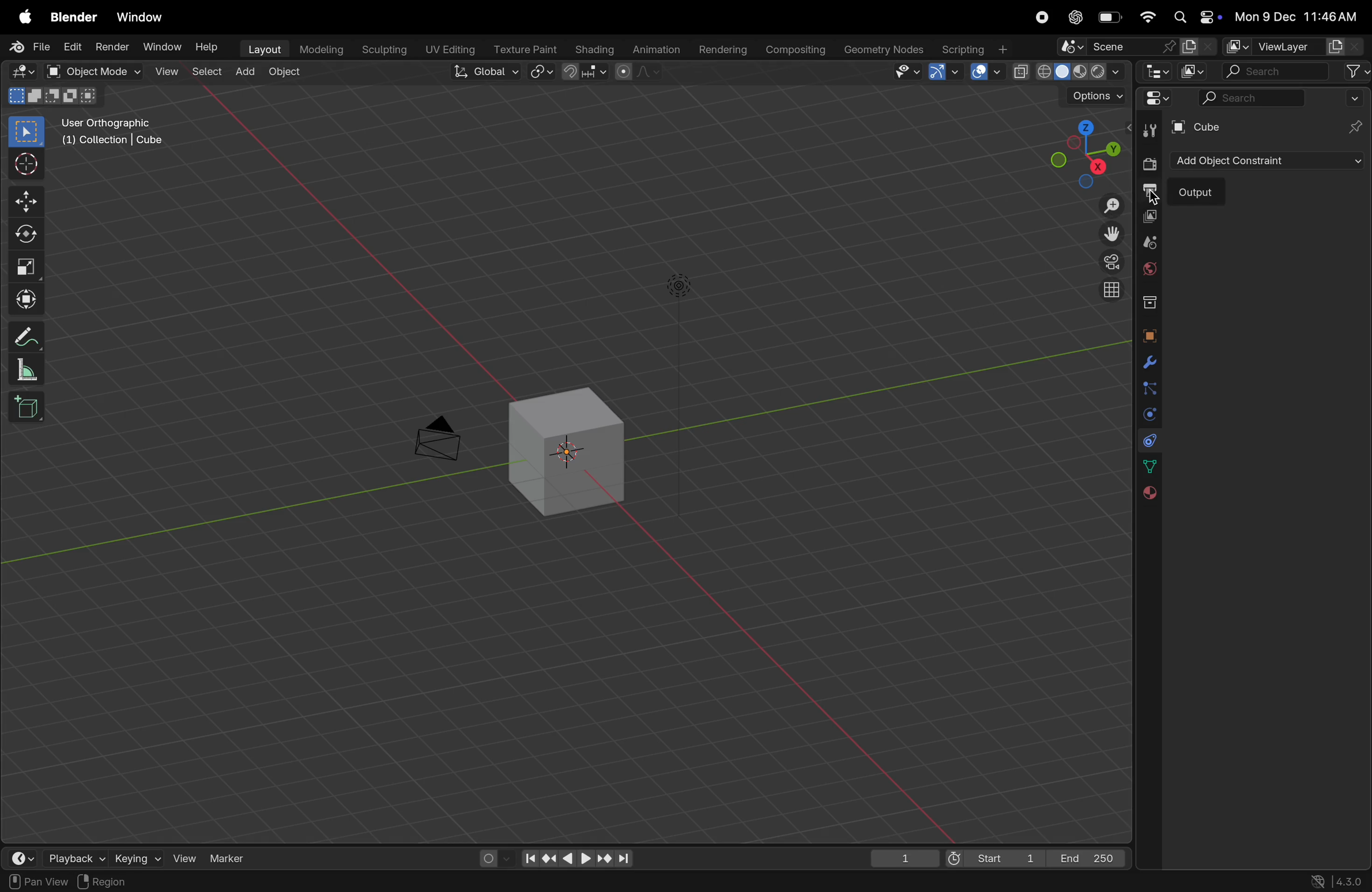 This screenshot has height=892, width=1372. Describe the element at coordinates (77, 19) in the screenshot. I see `blender menu` at that location.